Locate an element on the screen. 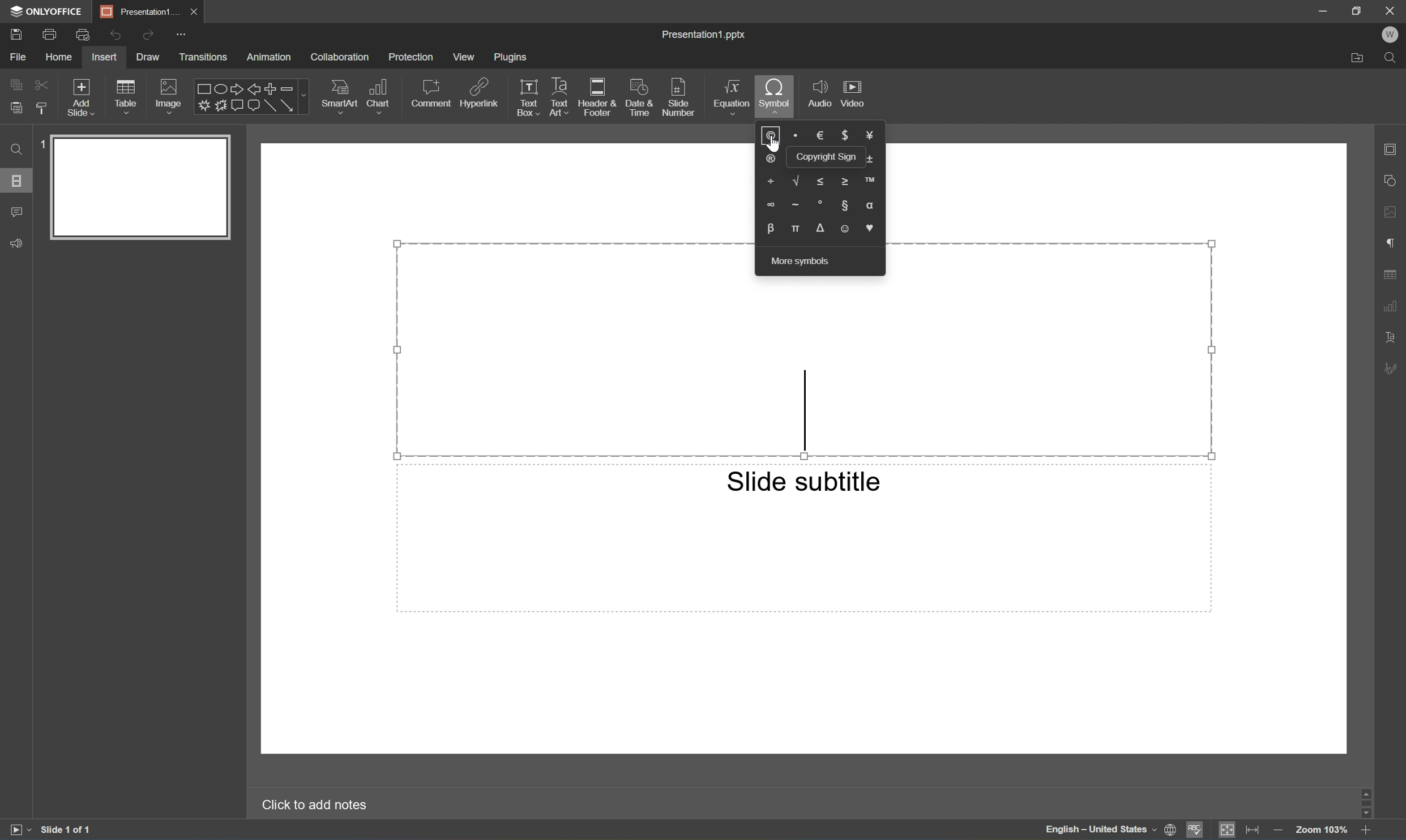 The image size is (1406, 840). Typing cursor is located at coordinates (807, 408).